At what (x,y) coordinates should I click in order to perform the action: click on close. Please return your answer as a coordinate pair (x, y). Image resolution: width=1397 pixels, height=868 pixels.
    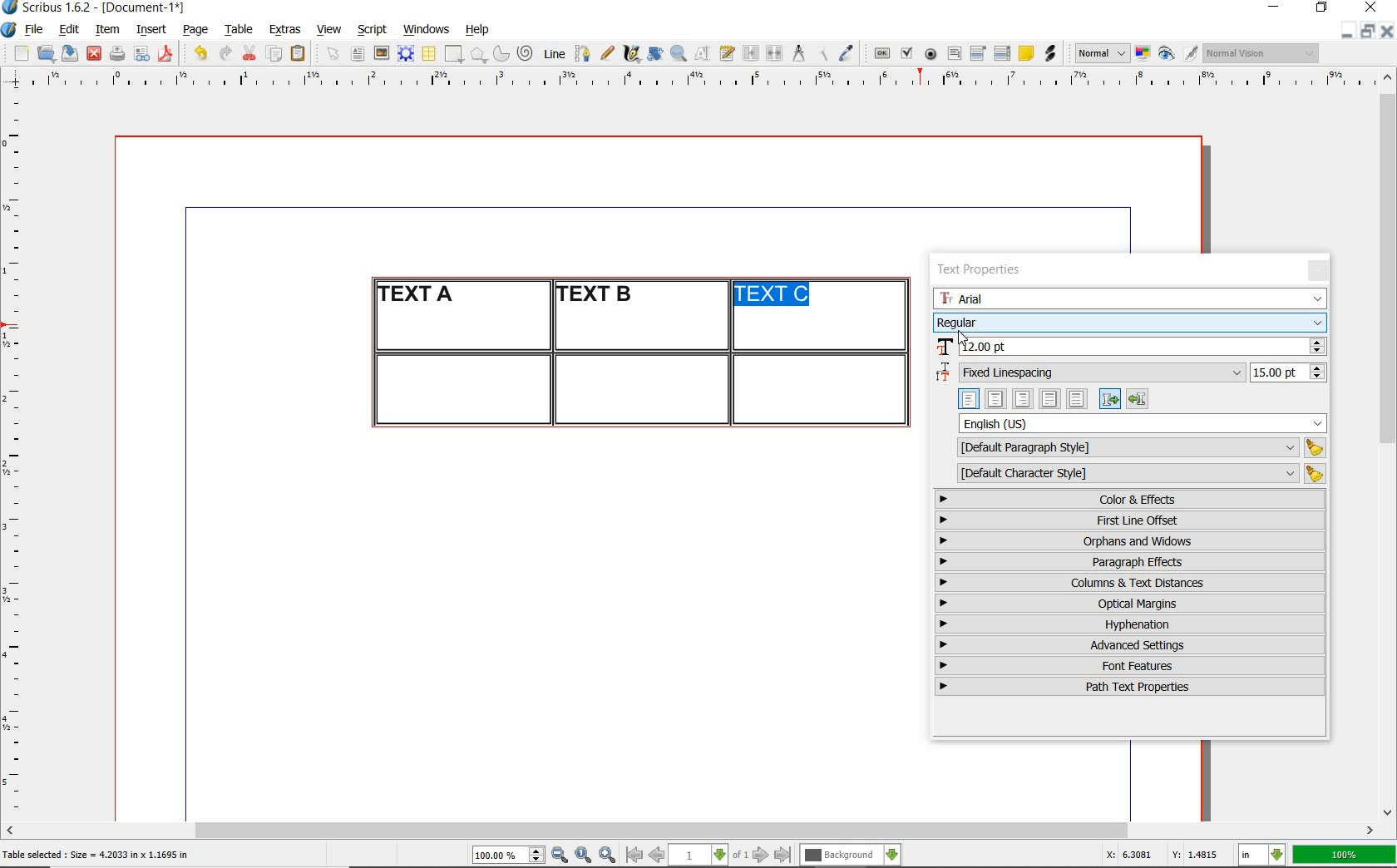
    Looking at the image, I should click on (1387, 31).